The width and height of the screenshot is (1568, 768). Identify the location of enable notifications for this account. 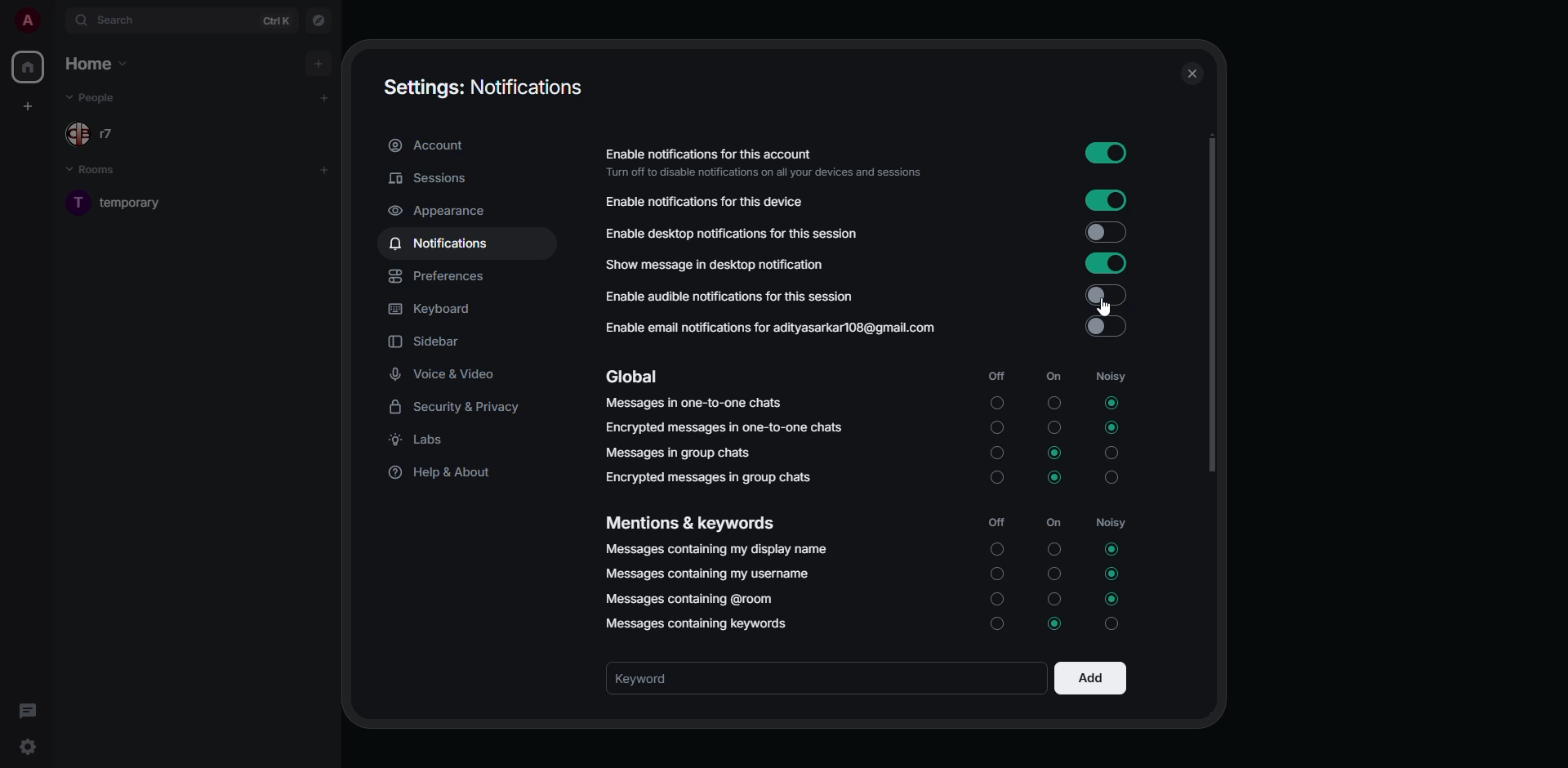
(769, 163).